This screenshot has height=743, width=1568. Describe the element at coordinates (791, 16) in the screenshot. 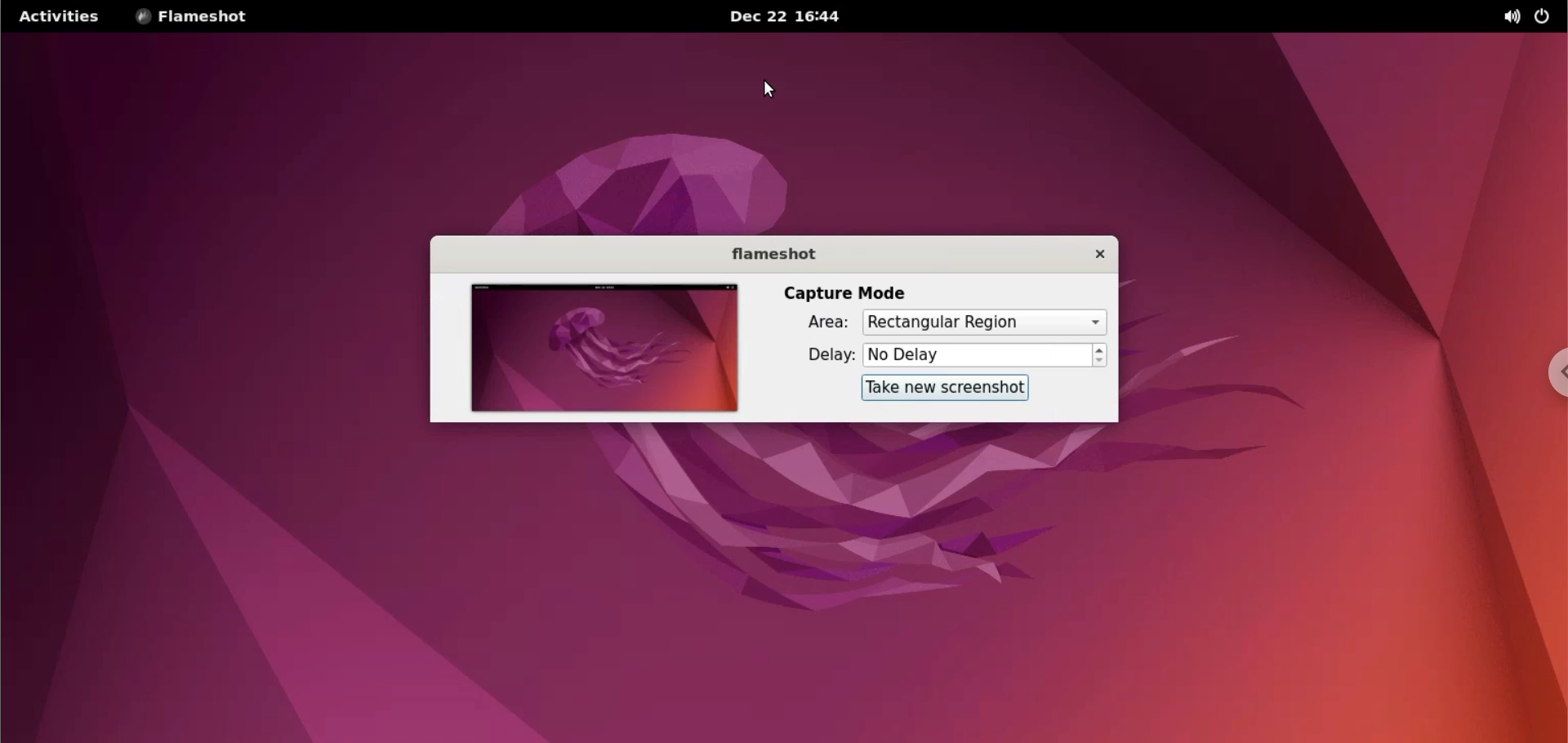

I see `Dec 22 16:44` at that location.